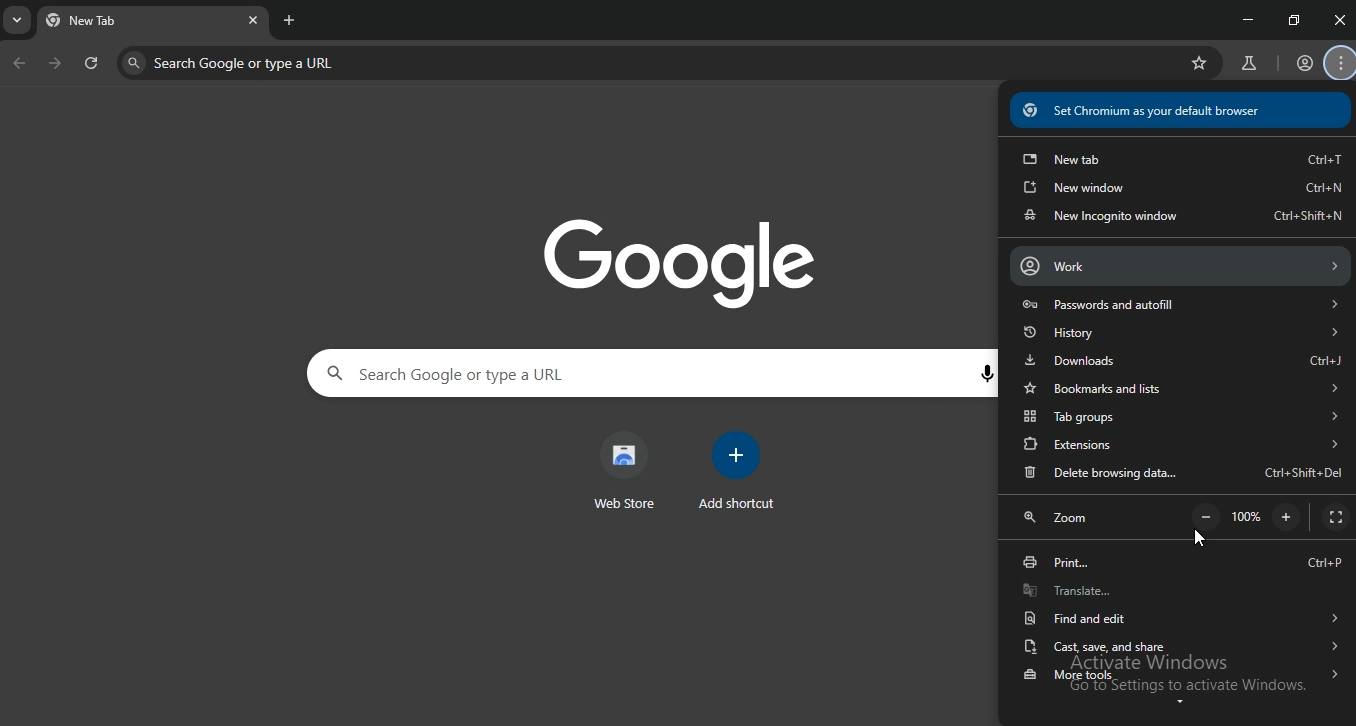  Describe the element at coordinates (1246, 64) in the screenshot. I see `search labs` at that location.